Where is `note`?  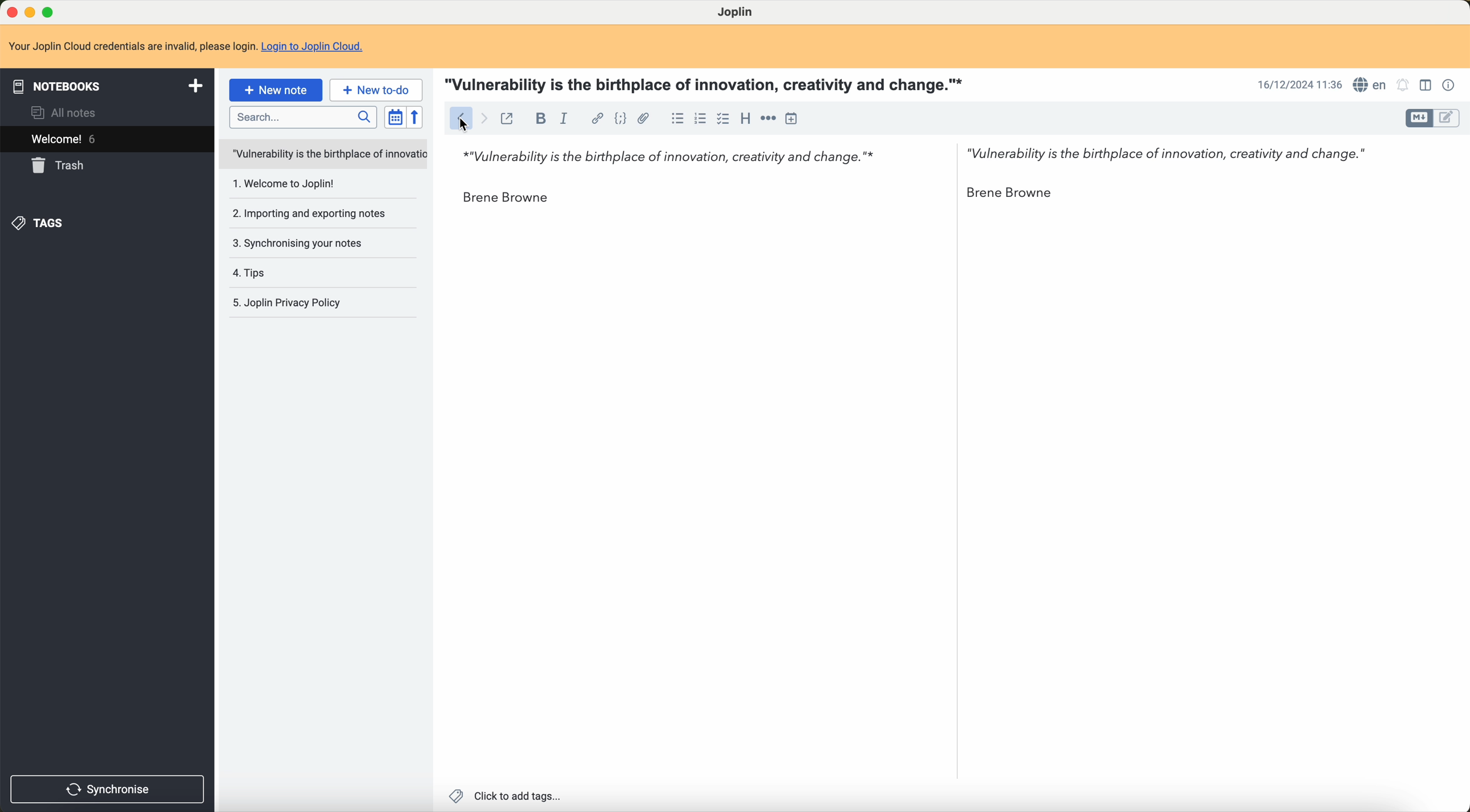 note is located at coordinates (132, 46).